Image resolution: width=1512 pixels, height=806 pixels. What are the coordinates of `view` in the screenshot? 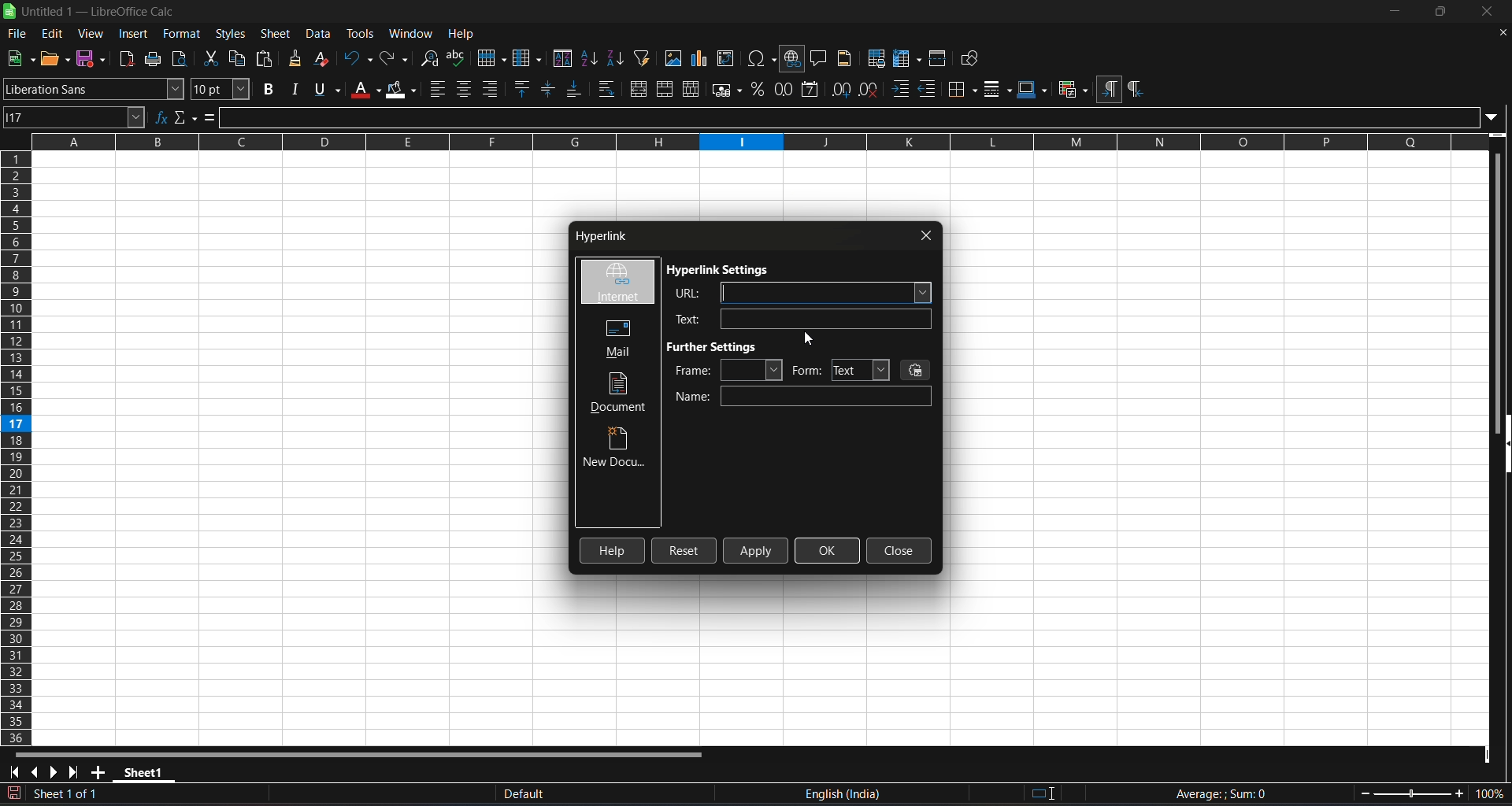 It's located at (91, 33).